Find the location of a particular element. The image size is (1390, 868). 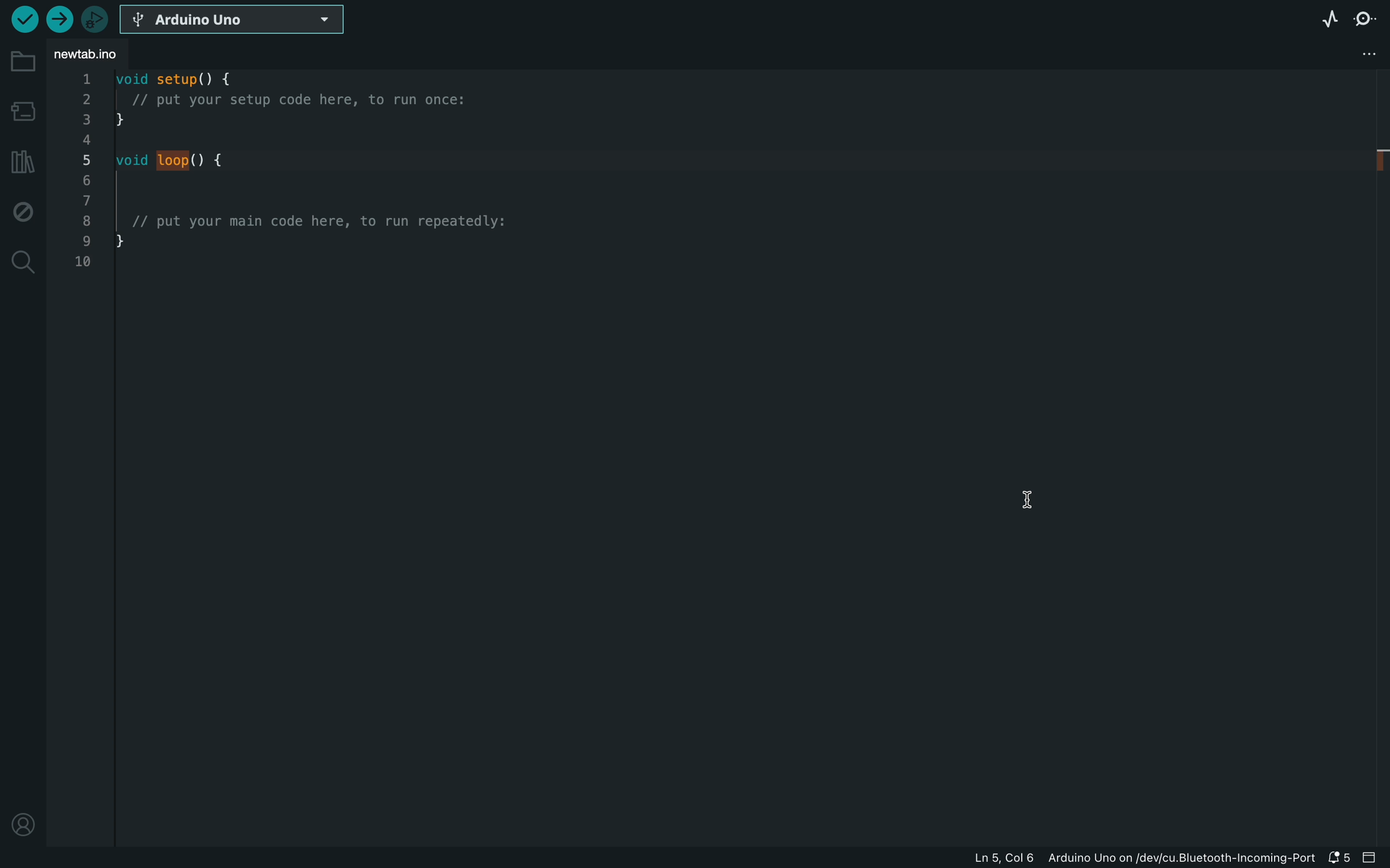

file tab is located at coordinates (93, 56).